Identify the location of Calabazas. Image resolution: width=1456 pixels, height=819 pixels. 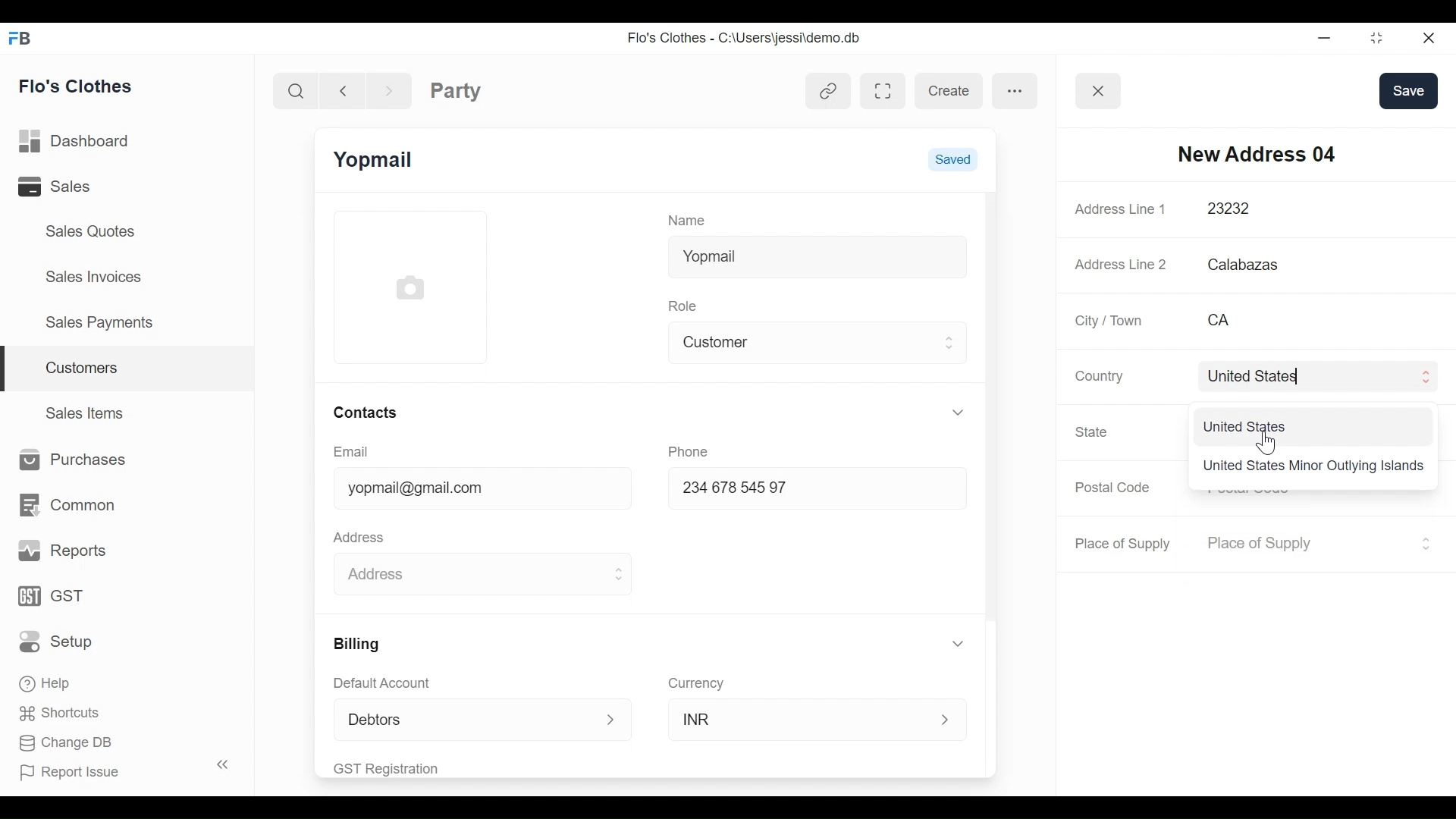
(1318, 265).